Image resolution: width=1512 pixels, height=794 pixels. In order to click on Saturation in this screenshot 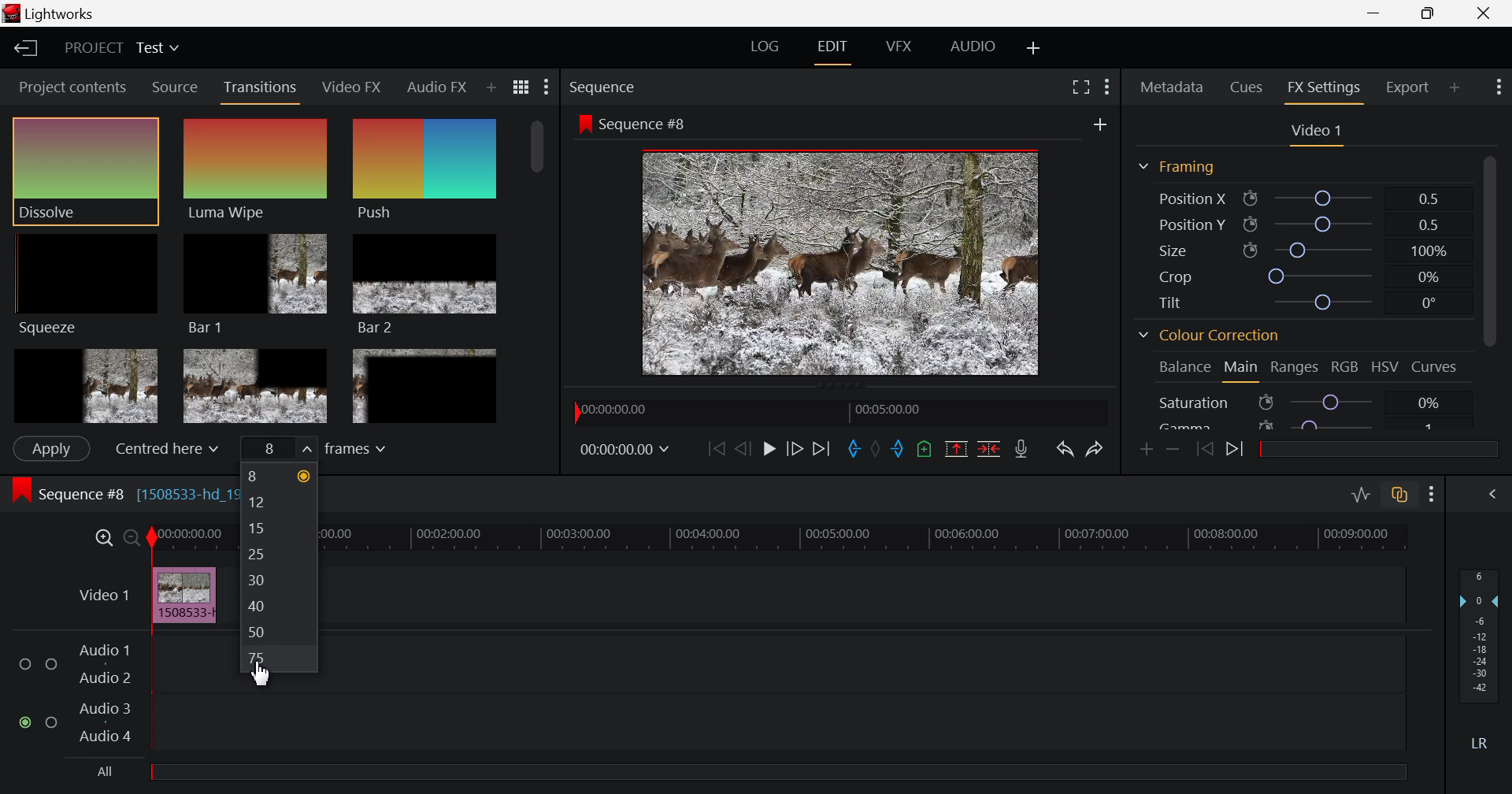, I will do `click(1303, 402)`.